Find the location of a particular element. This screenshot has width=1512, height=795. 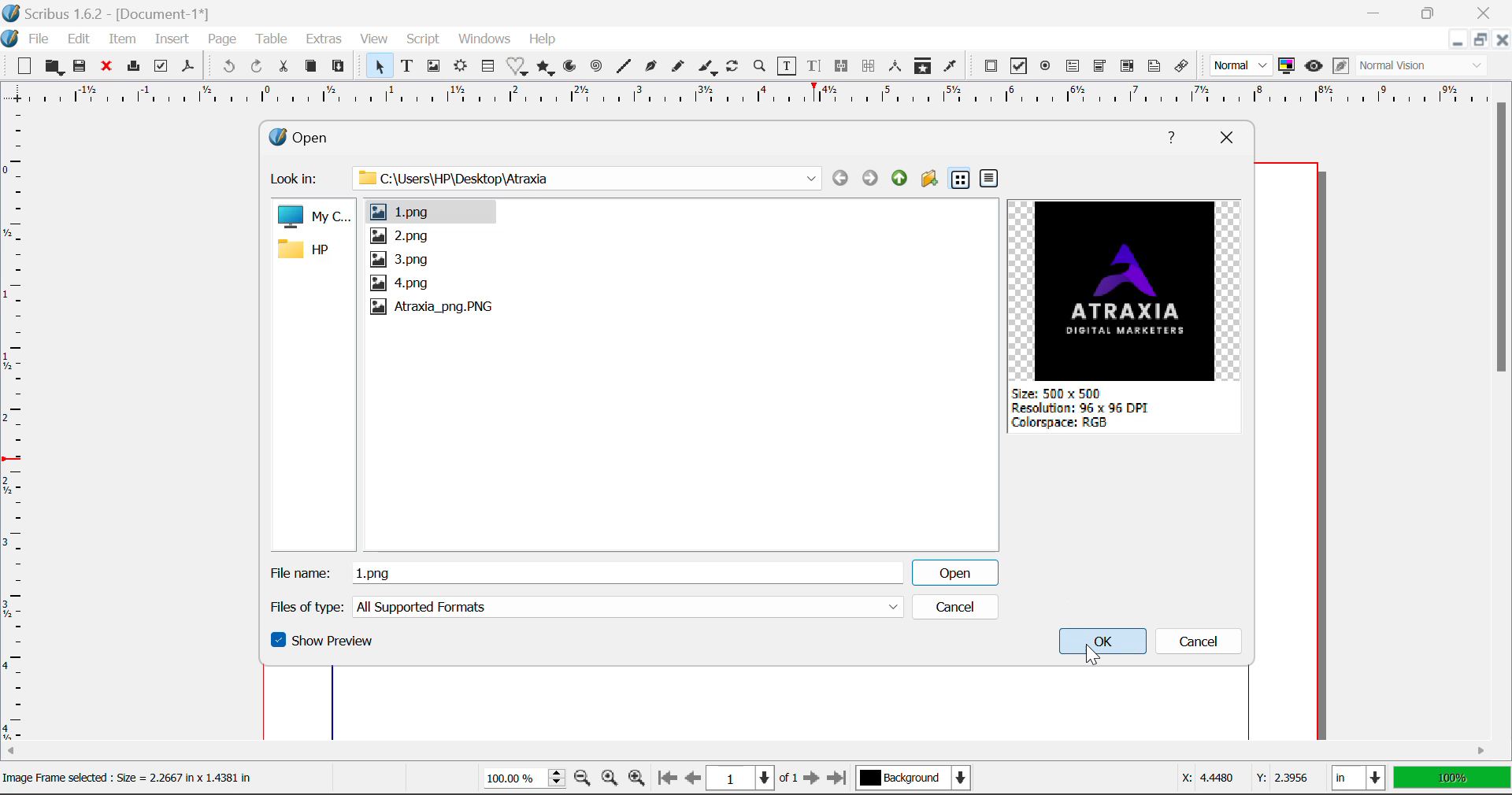

Restore Down is located at coordinates (1378, 12).